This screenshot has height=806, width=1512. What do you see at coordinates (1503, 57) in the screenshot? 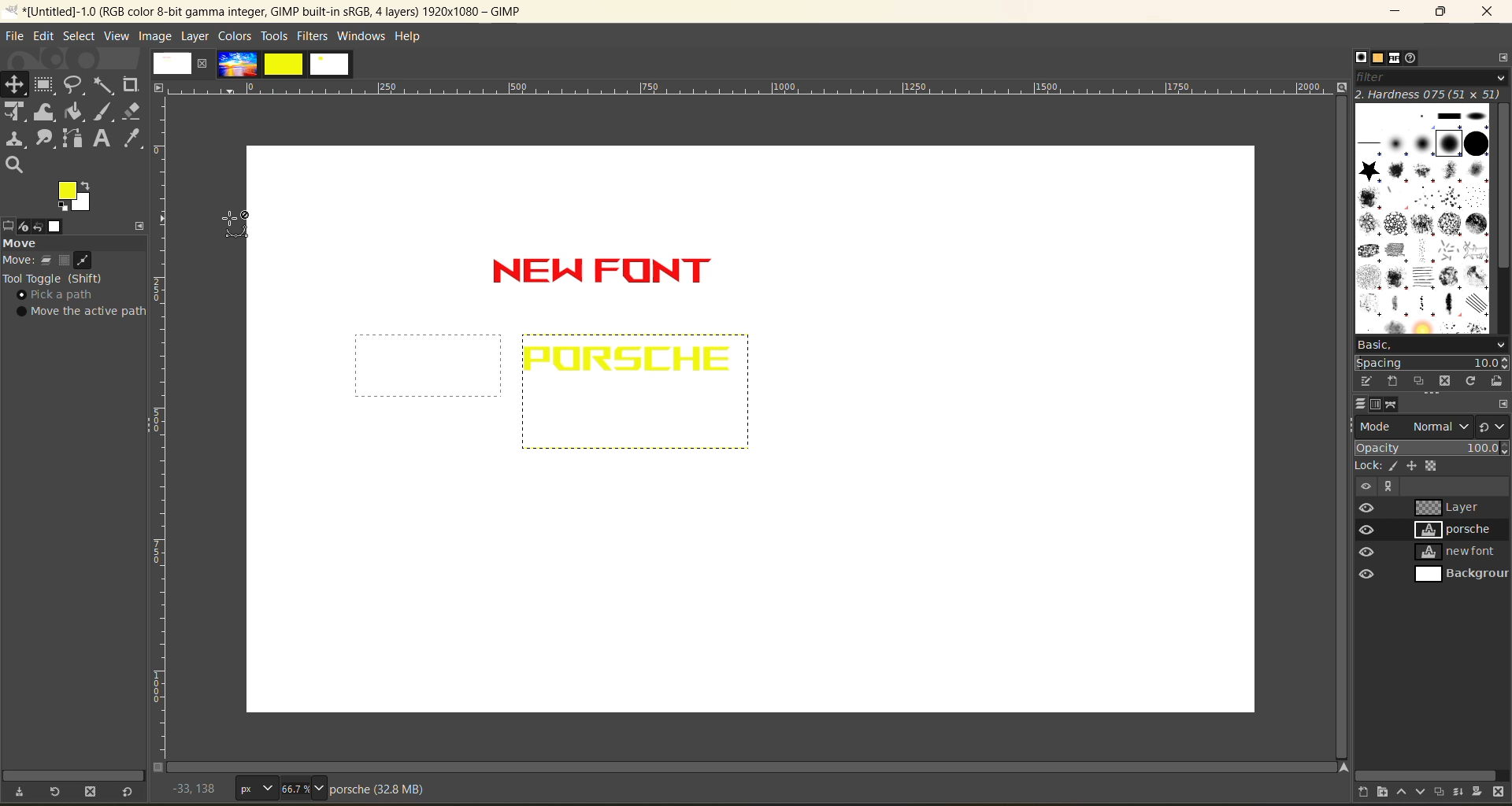
I see `configure` at bounding box center [1503, 57].